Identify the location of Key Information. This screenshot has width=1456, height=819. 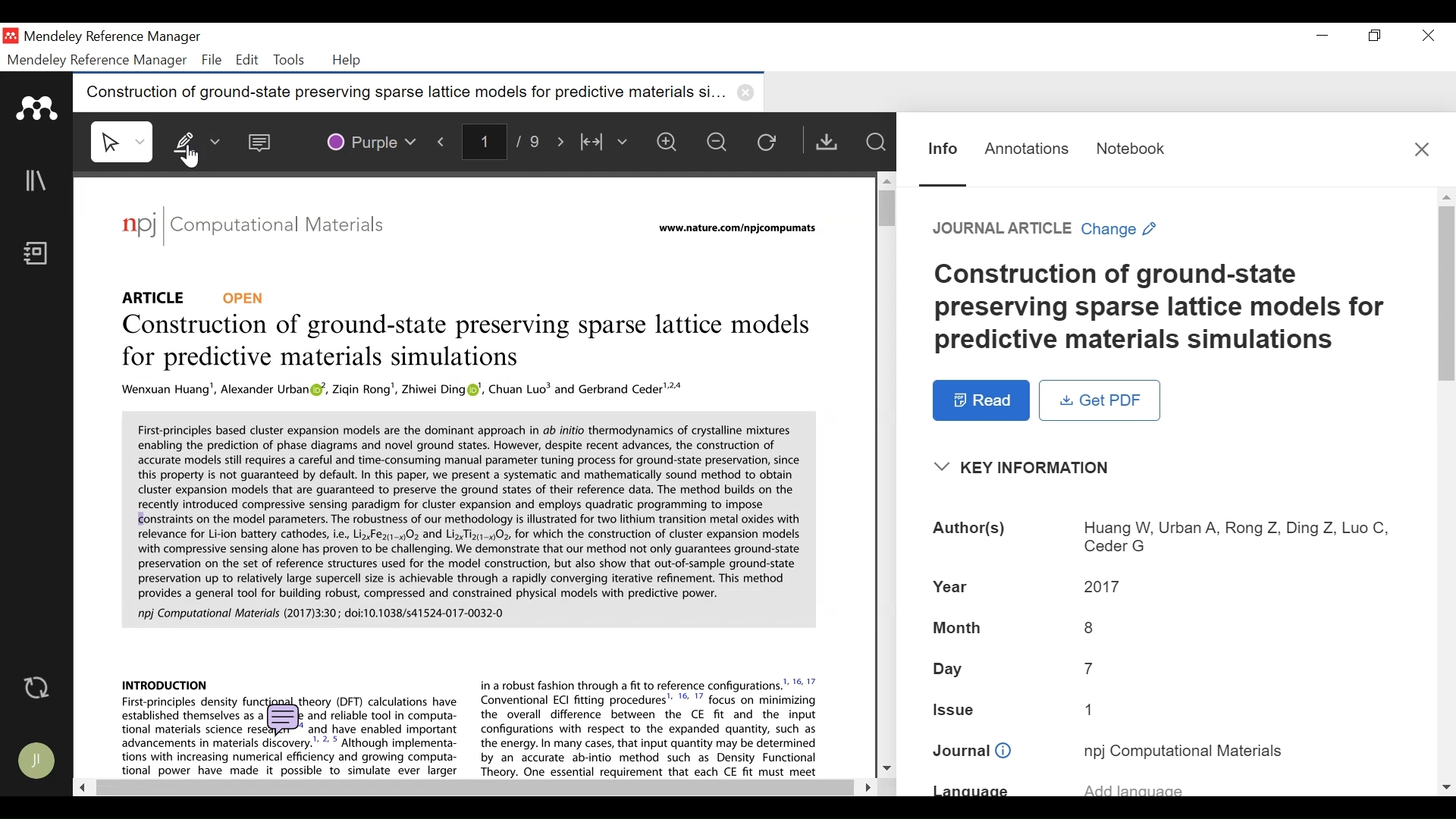
(1027, 468).